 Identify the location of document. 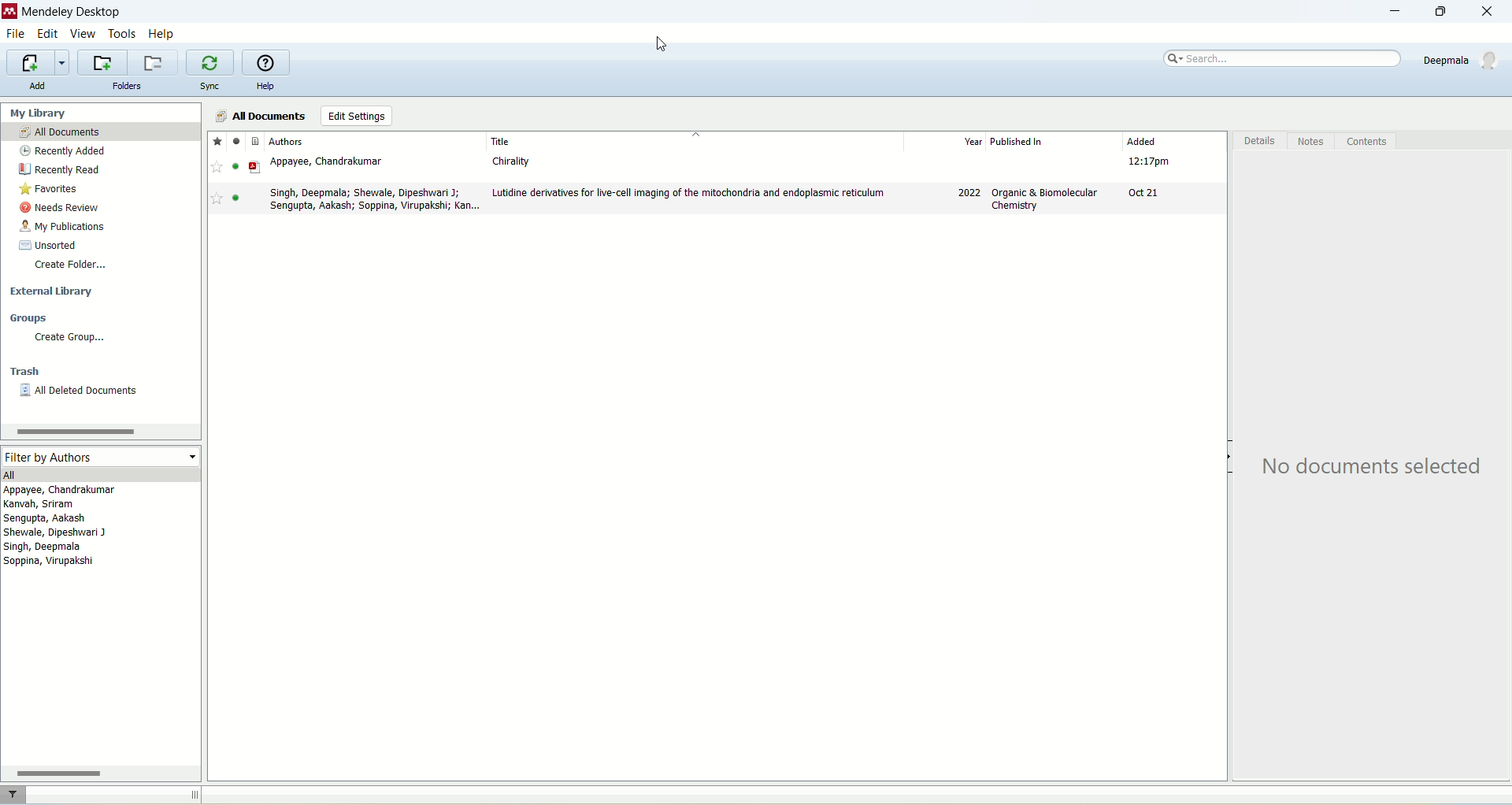
(260, 140).